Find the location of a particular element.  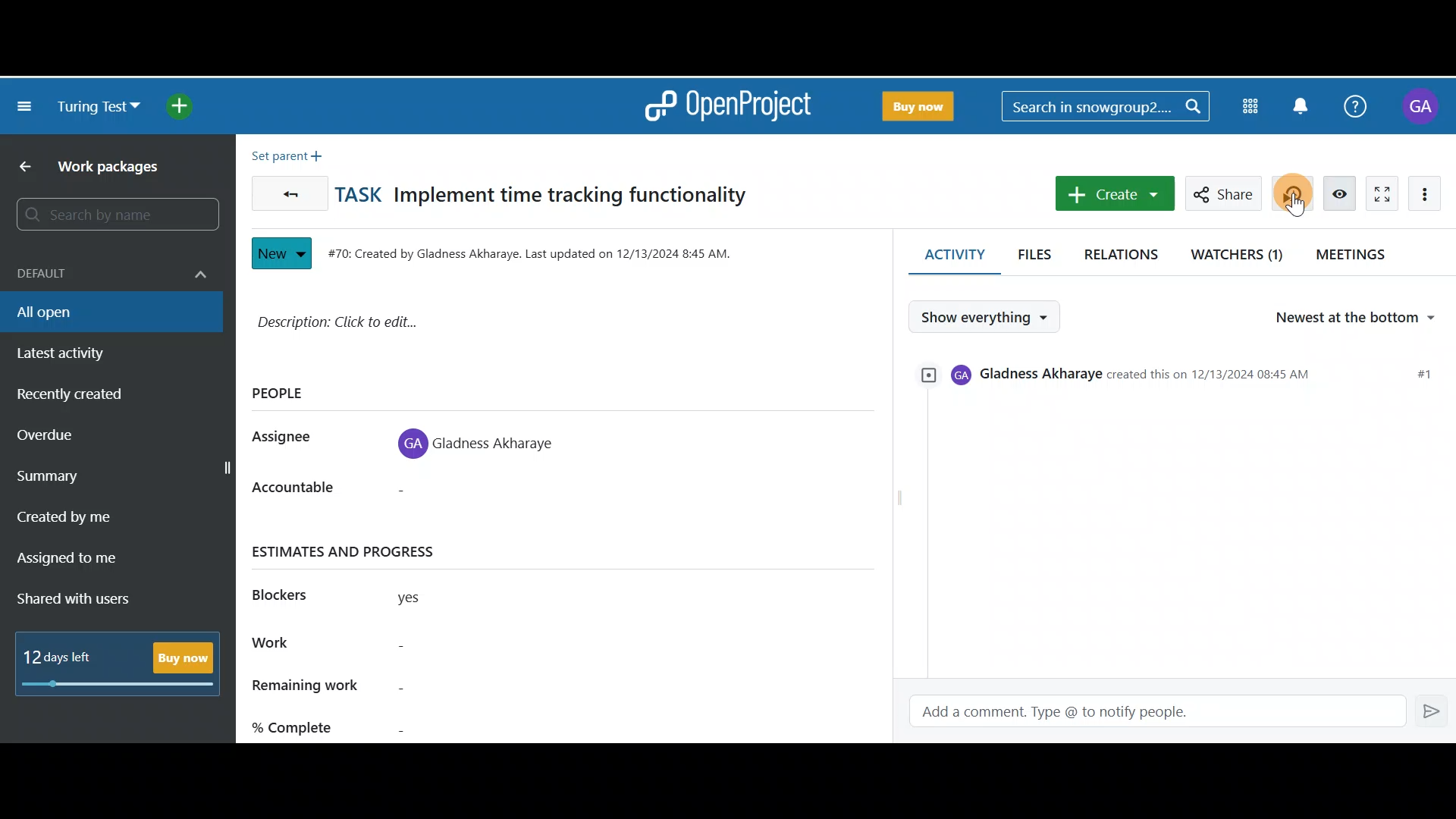

Work is located at coordinates (404, 646).